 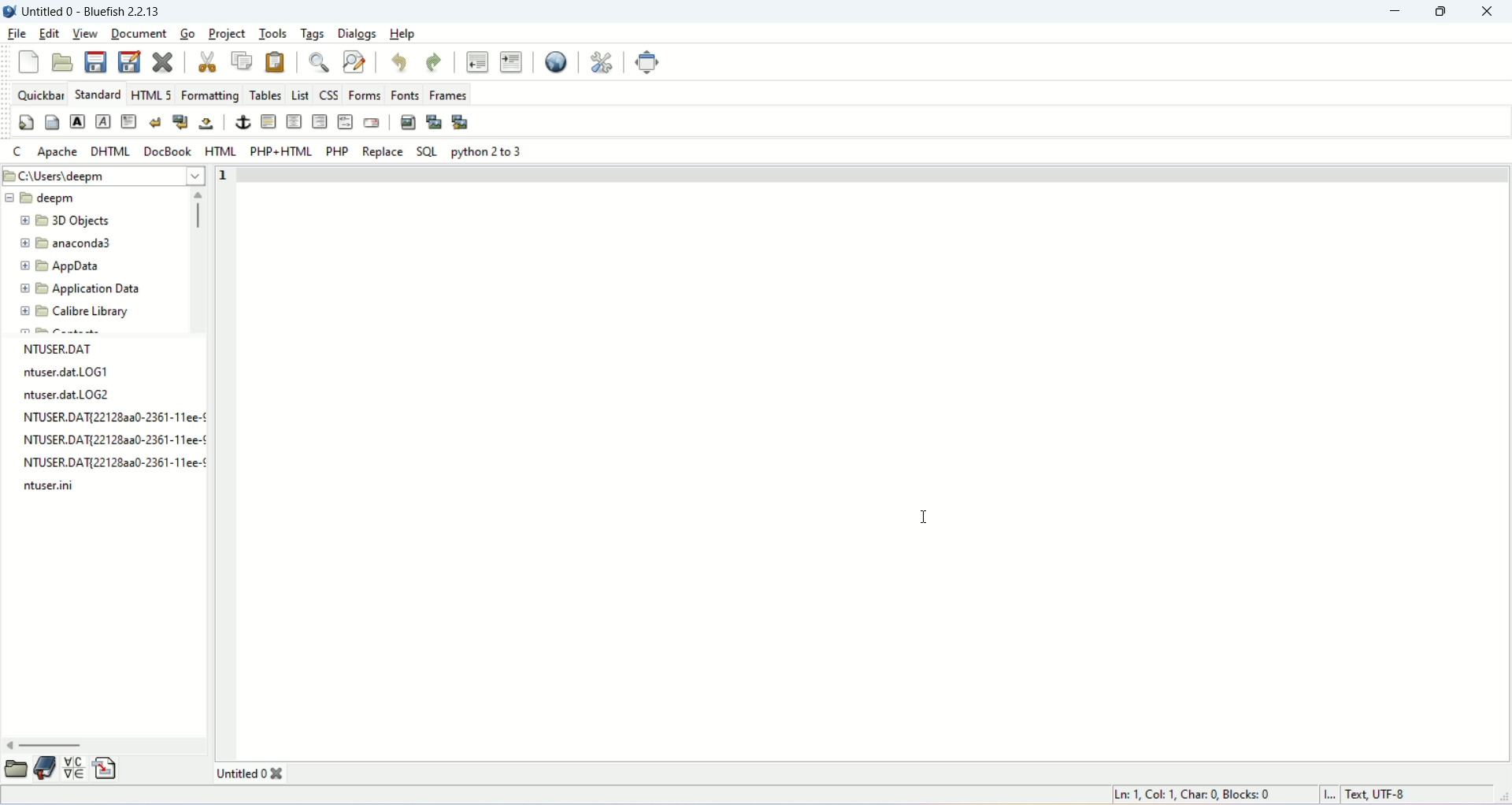 I want to click on ntuser.dat.LOG2, so click(x=61, y=395).